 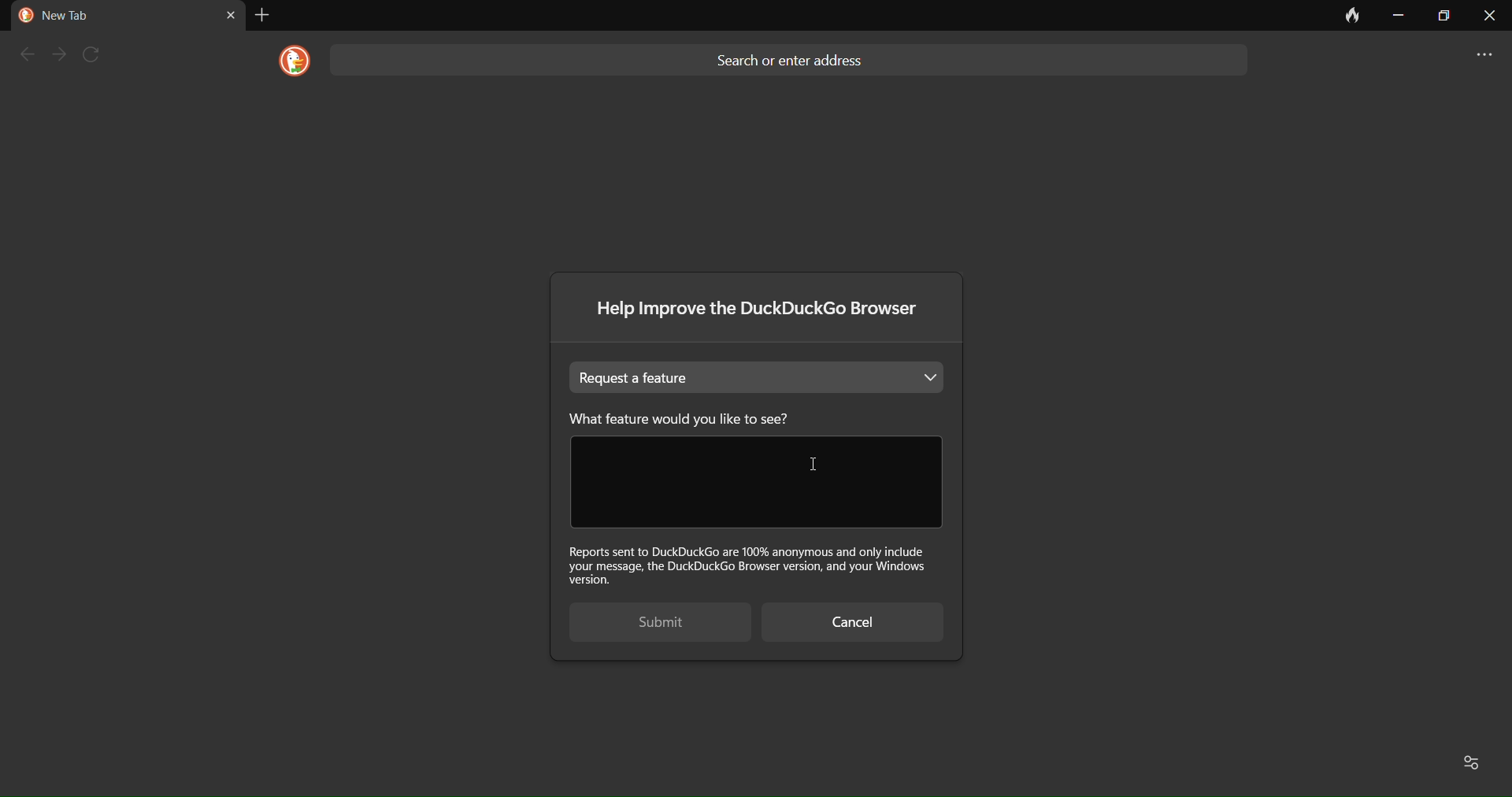 I want to click on close, so click(x=1489, y=20).